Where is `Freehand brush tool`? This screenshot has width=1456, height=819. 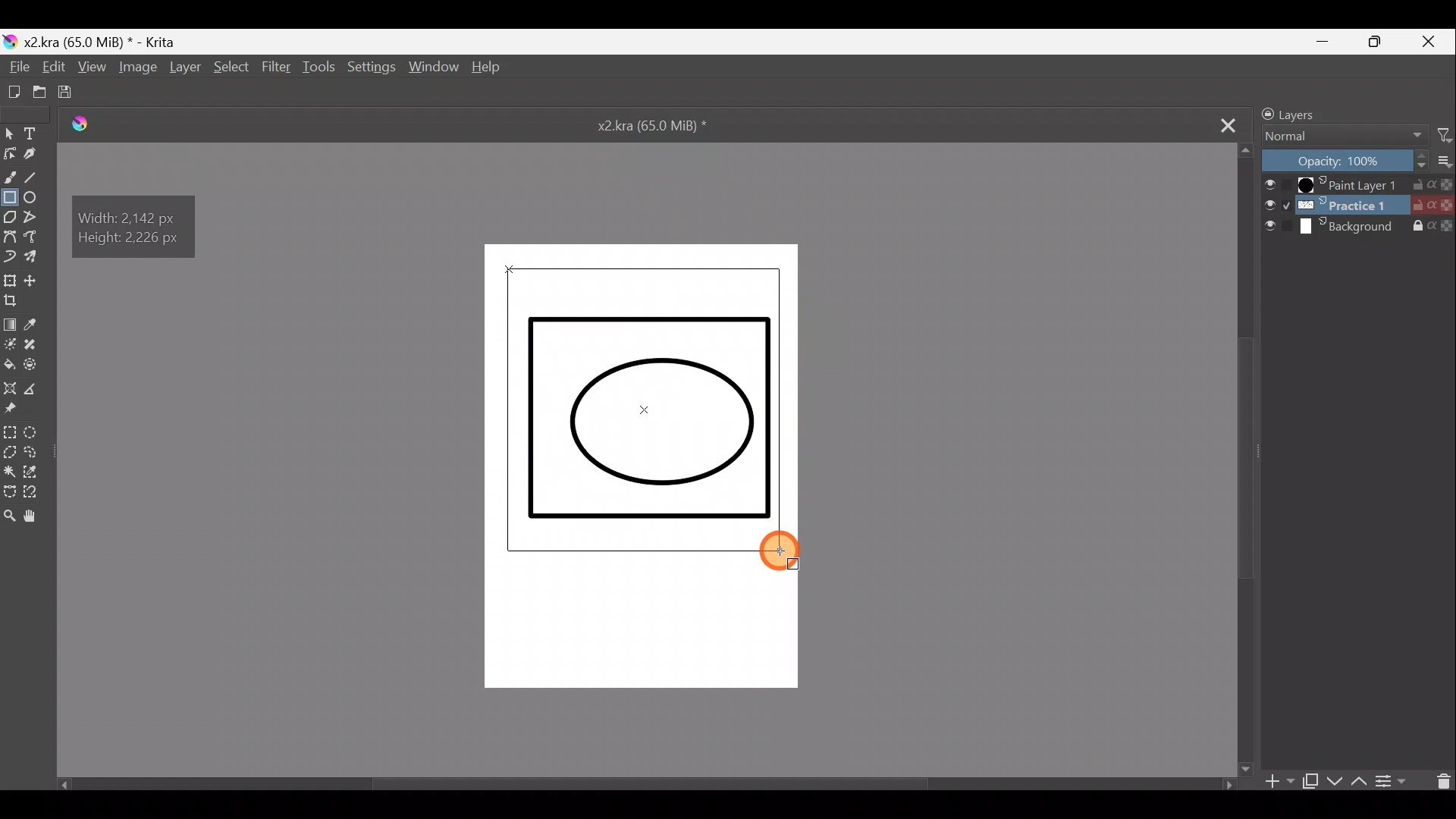
Freehand brush tool is located at coordinates (9, 178).